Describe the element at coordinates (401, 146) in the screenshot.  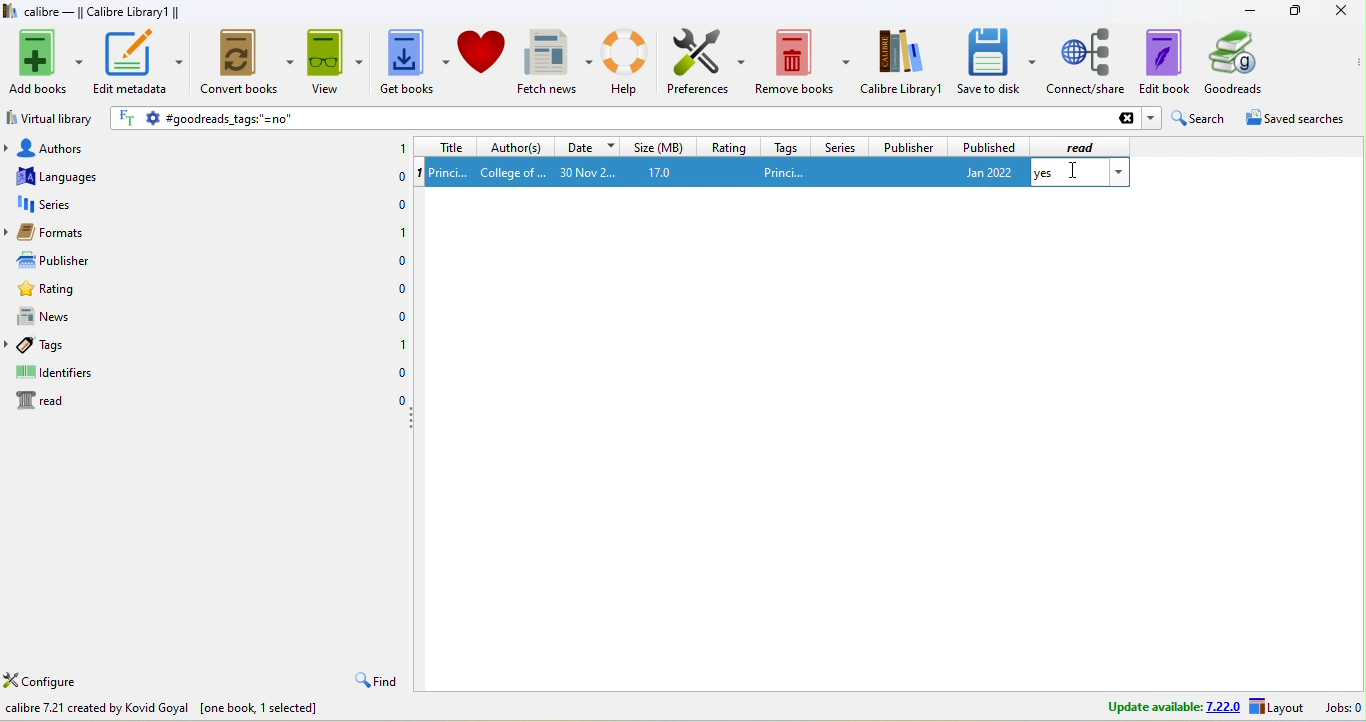
I see `1` at that location.